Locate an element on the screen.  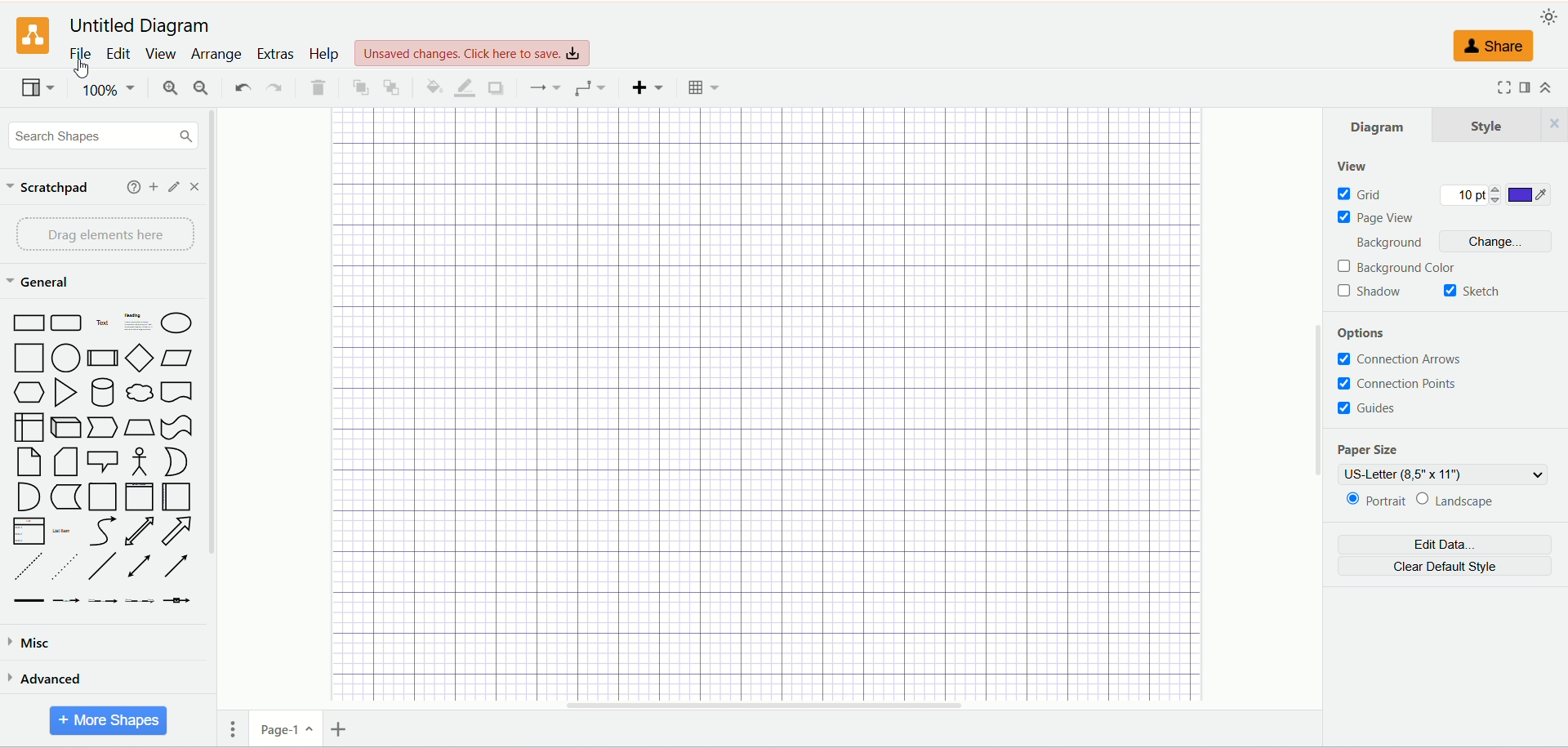
page1 is located at coordinates (286, 729).